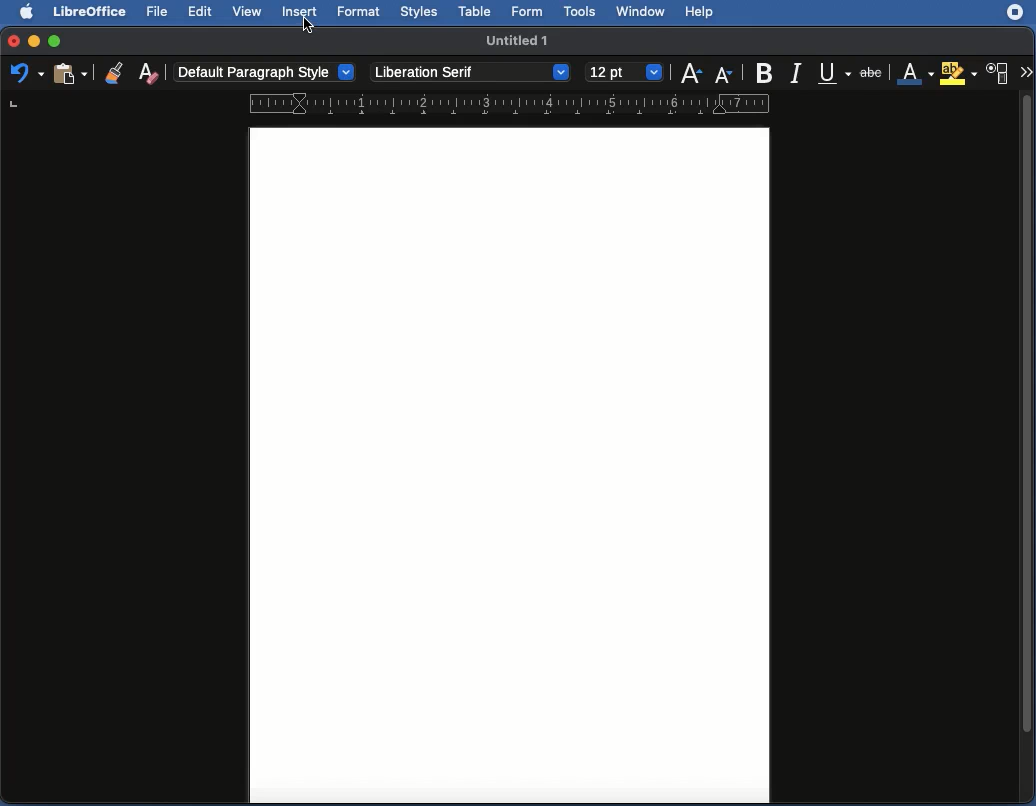 Image resolution: width=1036 pixels, height=806 pixels. I want to click on Paragraph style, so click(264, 72).